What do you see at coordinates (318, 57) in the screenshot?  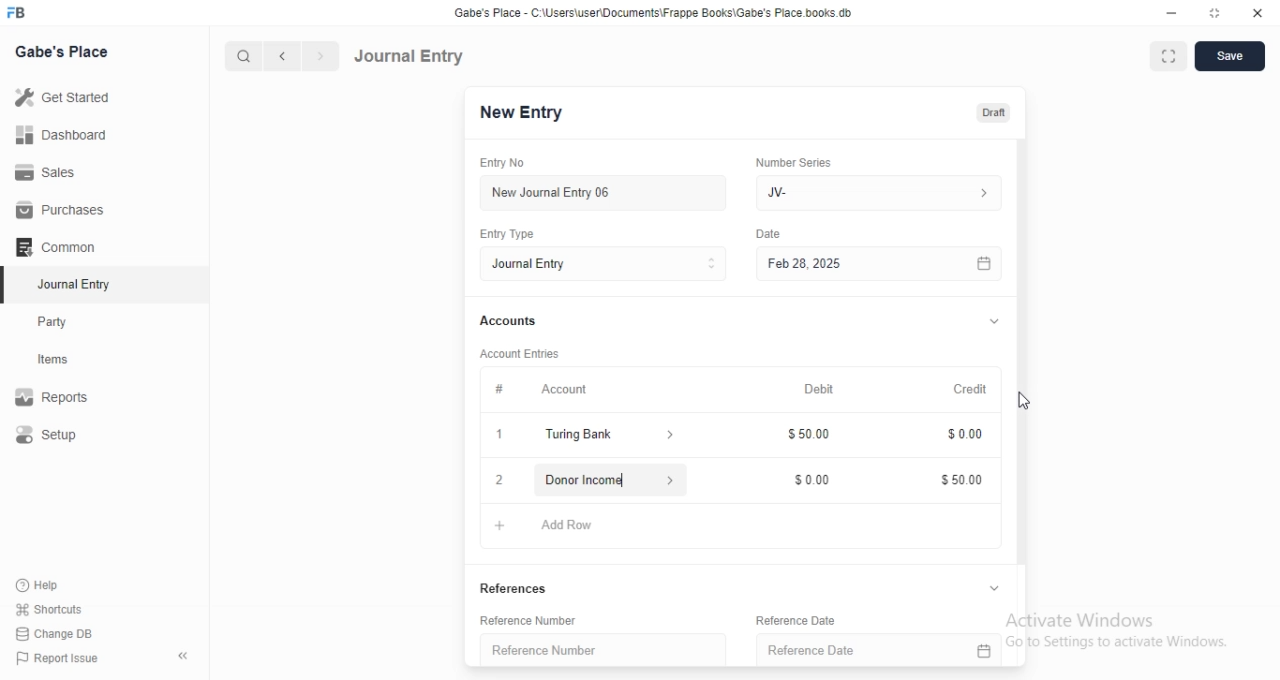 I see `next` at bounding box center [318, 57].